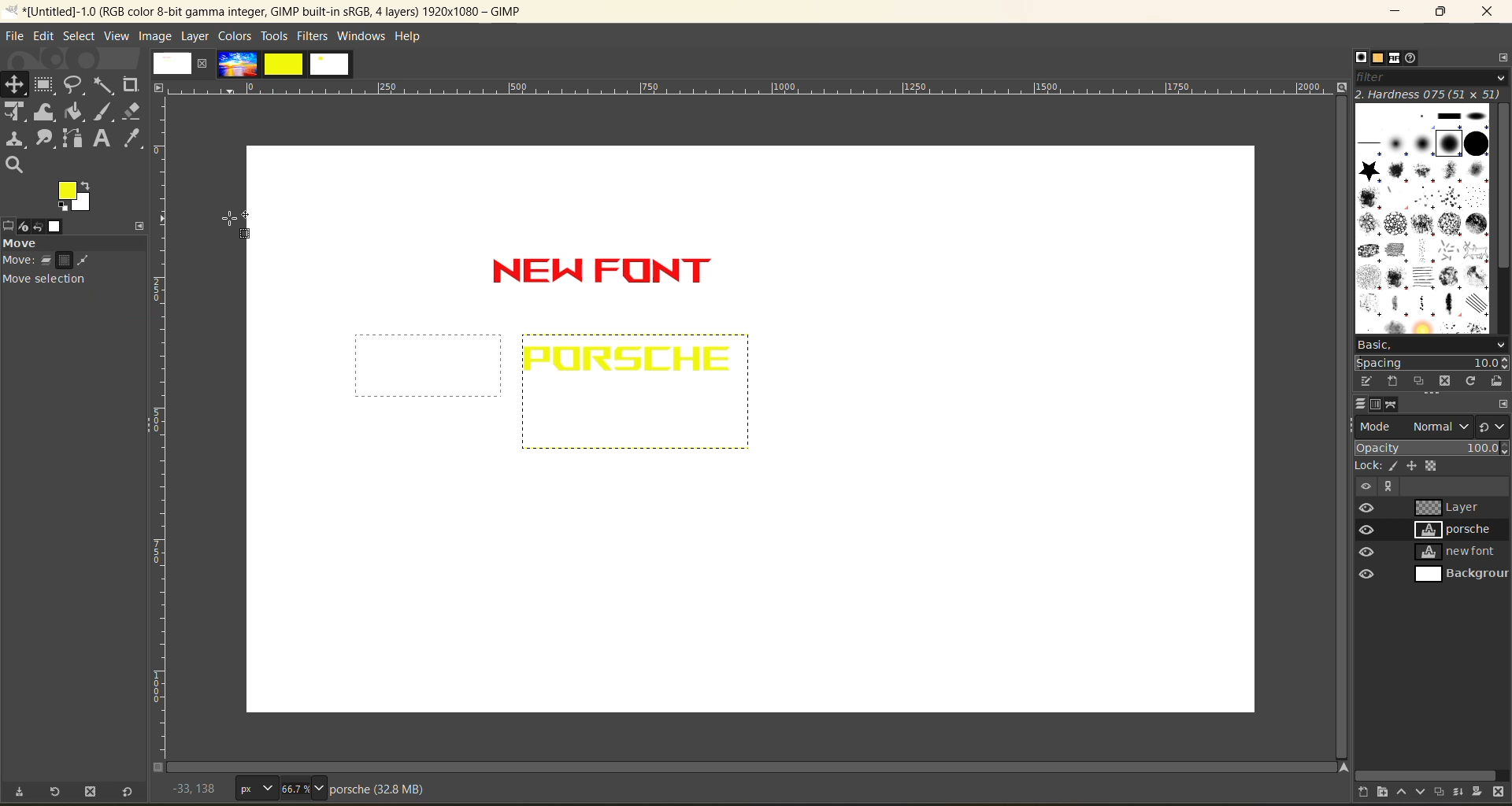  What do you see at coordinates (1397, 12) in the screenshot?
I see `minimize` at bounding box center [1397, 12].